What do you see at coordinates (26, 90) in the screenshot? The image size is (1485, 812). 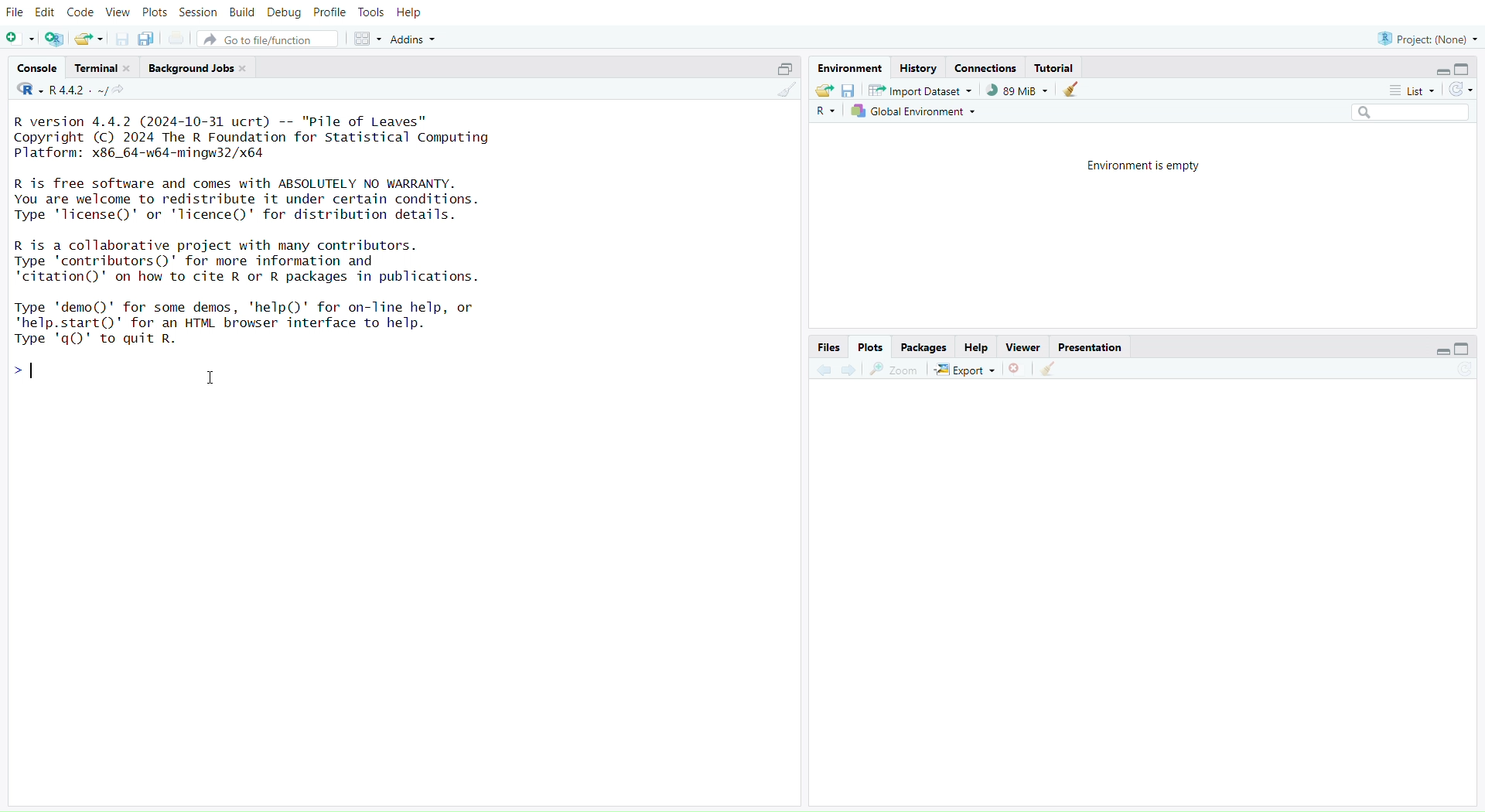 I see `R` at bounding box center [26, 90].